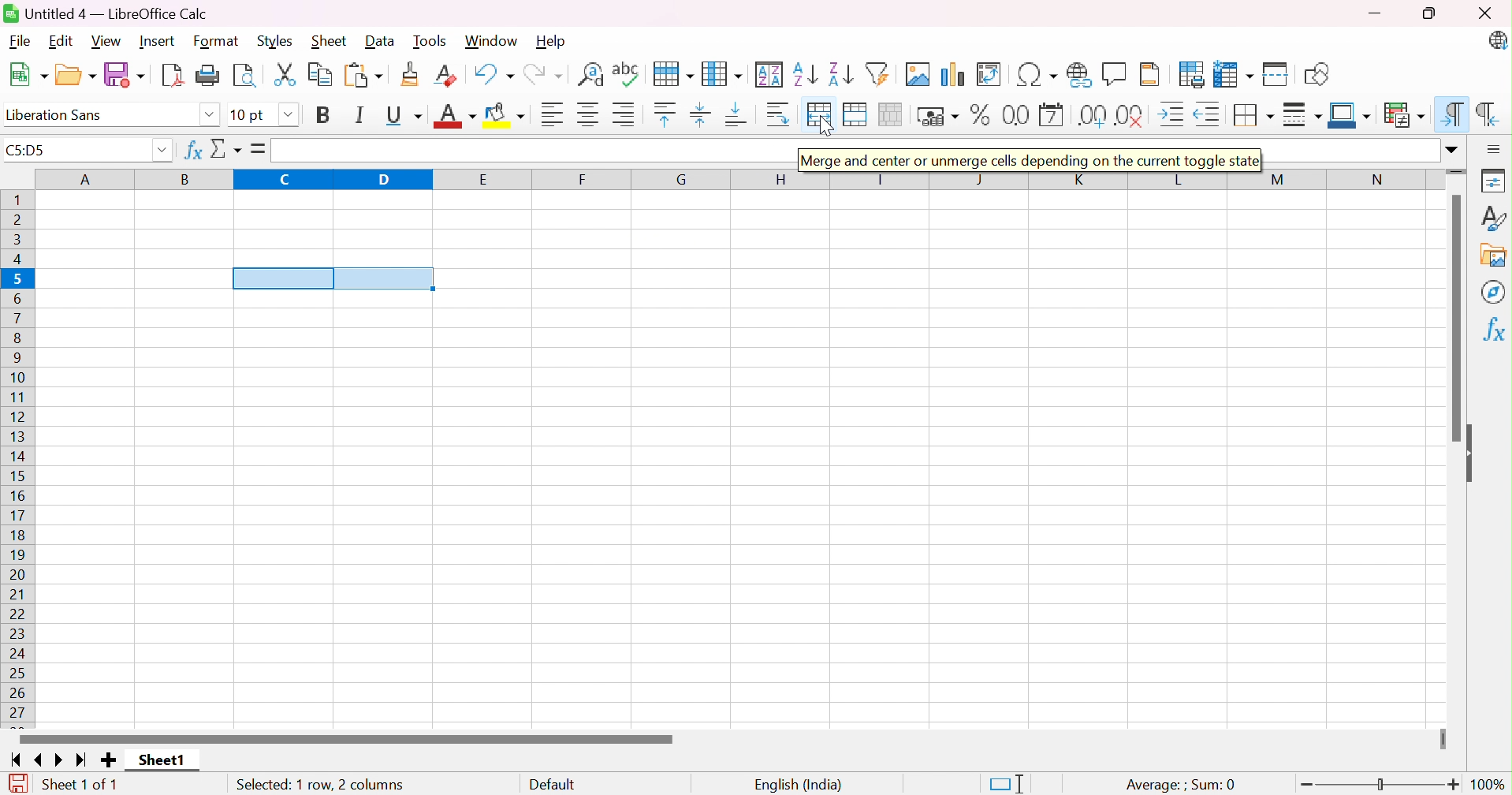 This screenshot has width=1512, height=795. What do you see at coordinates (1492, 255) in the screenshot?
I see `Gallery` at bounding box center [1492, 255].